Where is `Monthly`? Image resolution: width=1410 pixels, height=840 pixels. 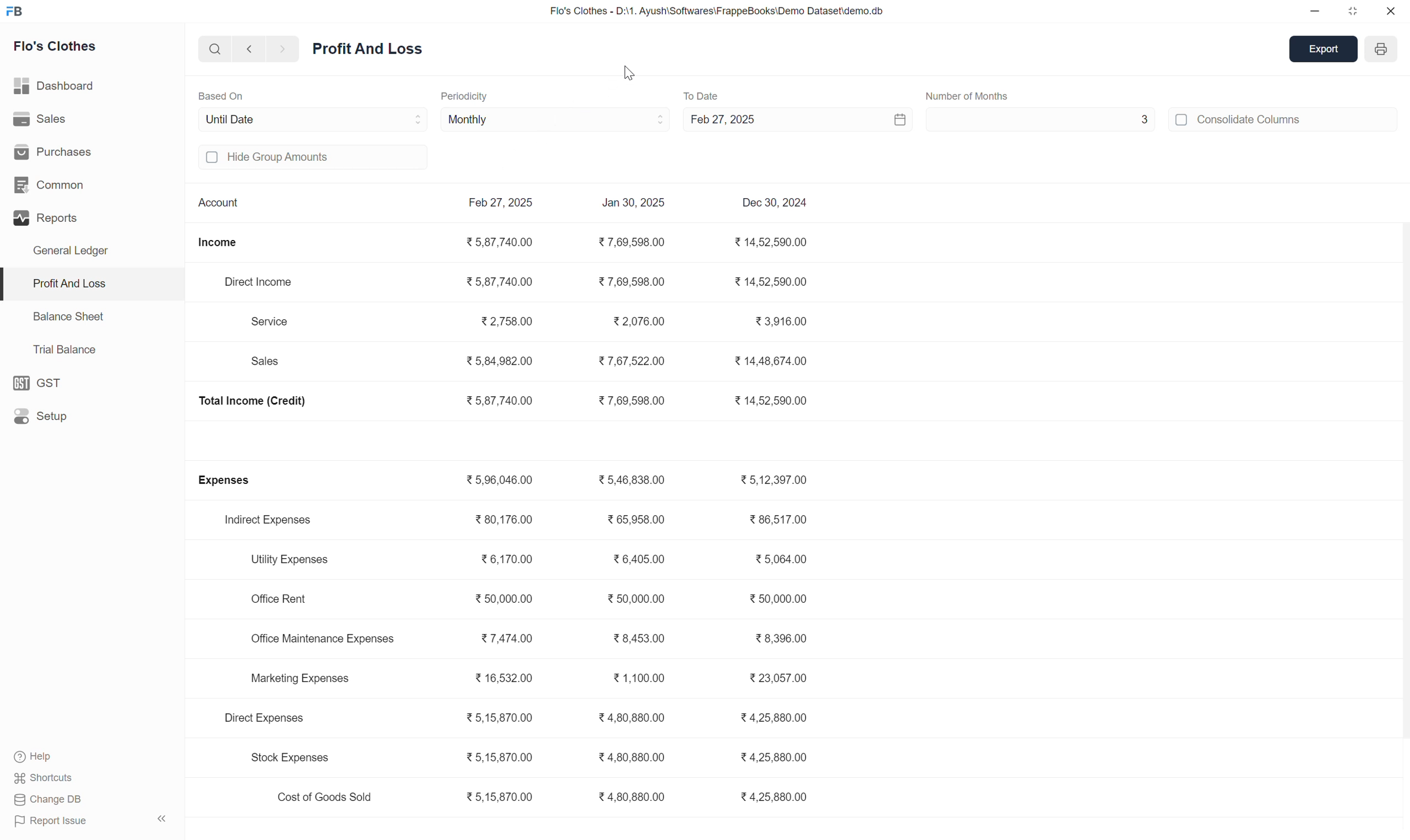
Monthly is located at coordinates (474, 119).